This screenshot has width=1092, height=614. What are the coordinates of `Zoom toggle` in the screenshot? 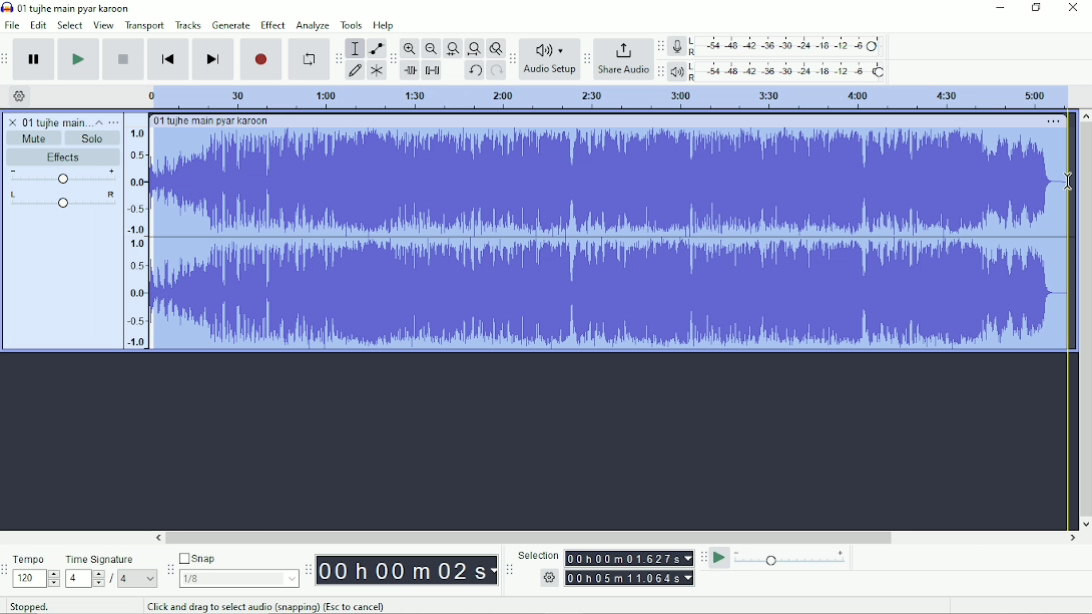 It's located at (494, 48).